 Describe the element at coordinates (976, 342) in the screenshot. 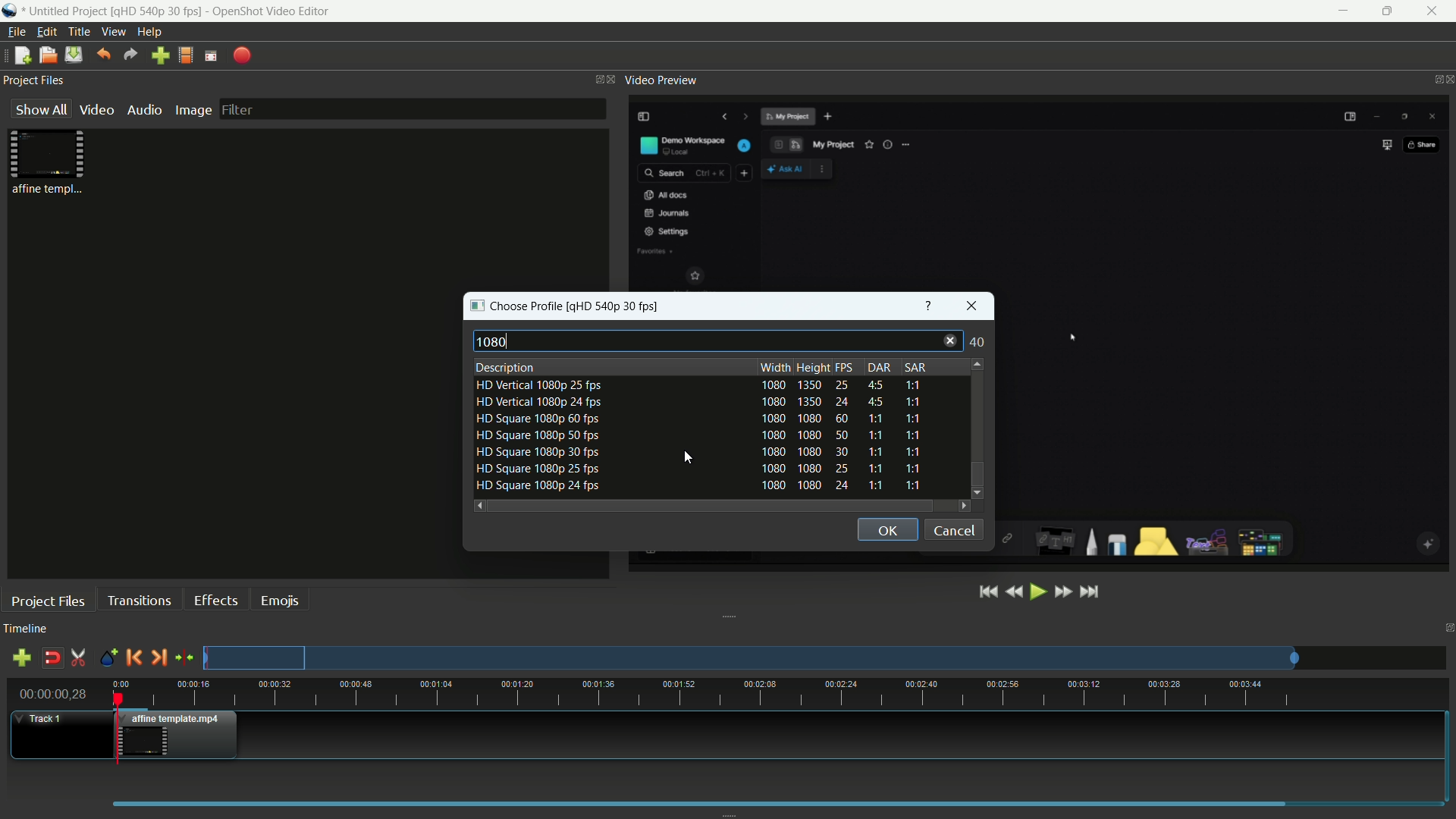

I see `414` at that location.